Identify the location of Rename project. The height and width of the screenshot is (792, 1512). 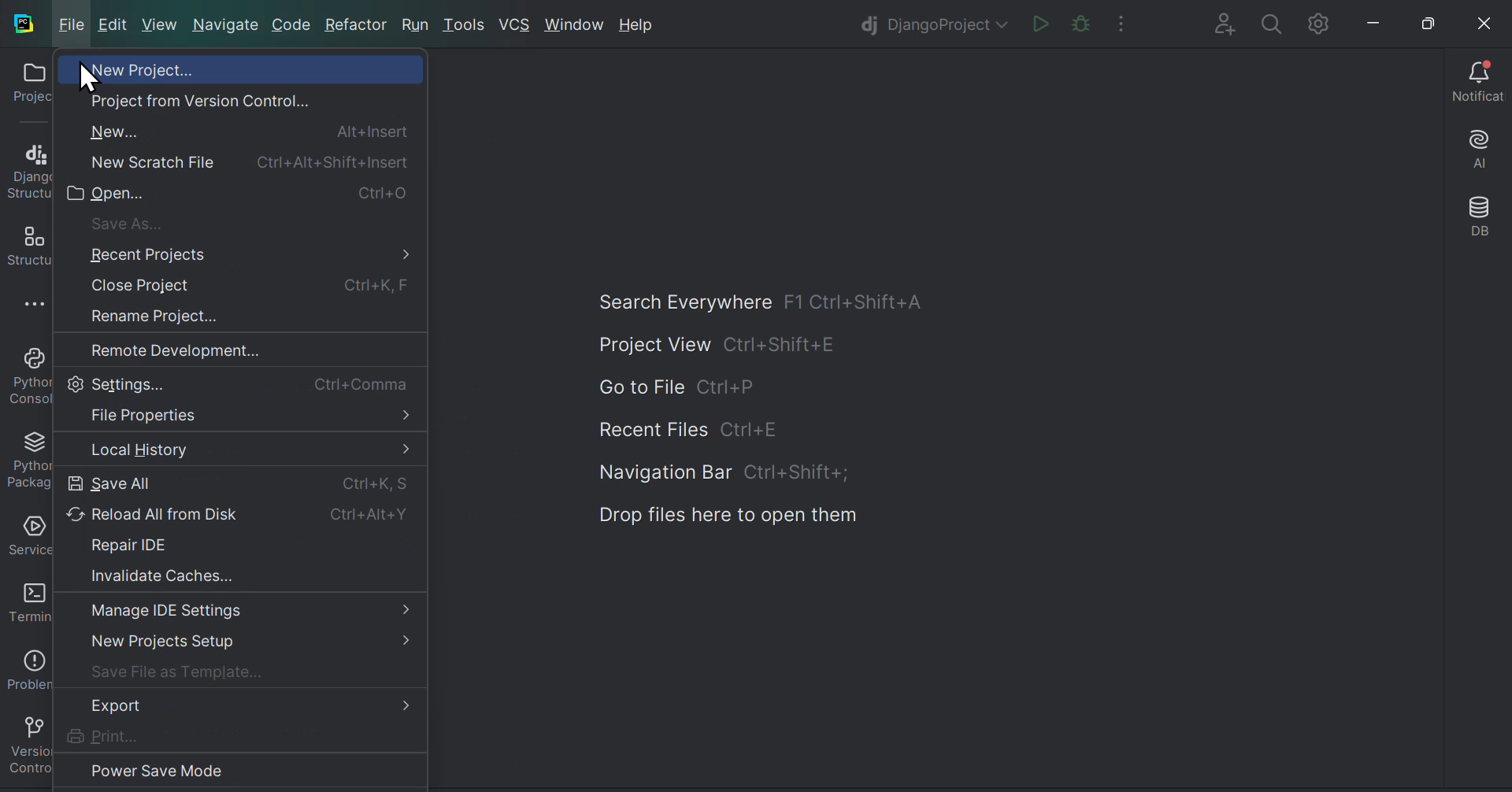
(158, 316).